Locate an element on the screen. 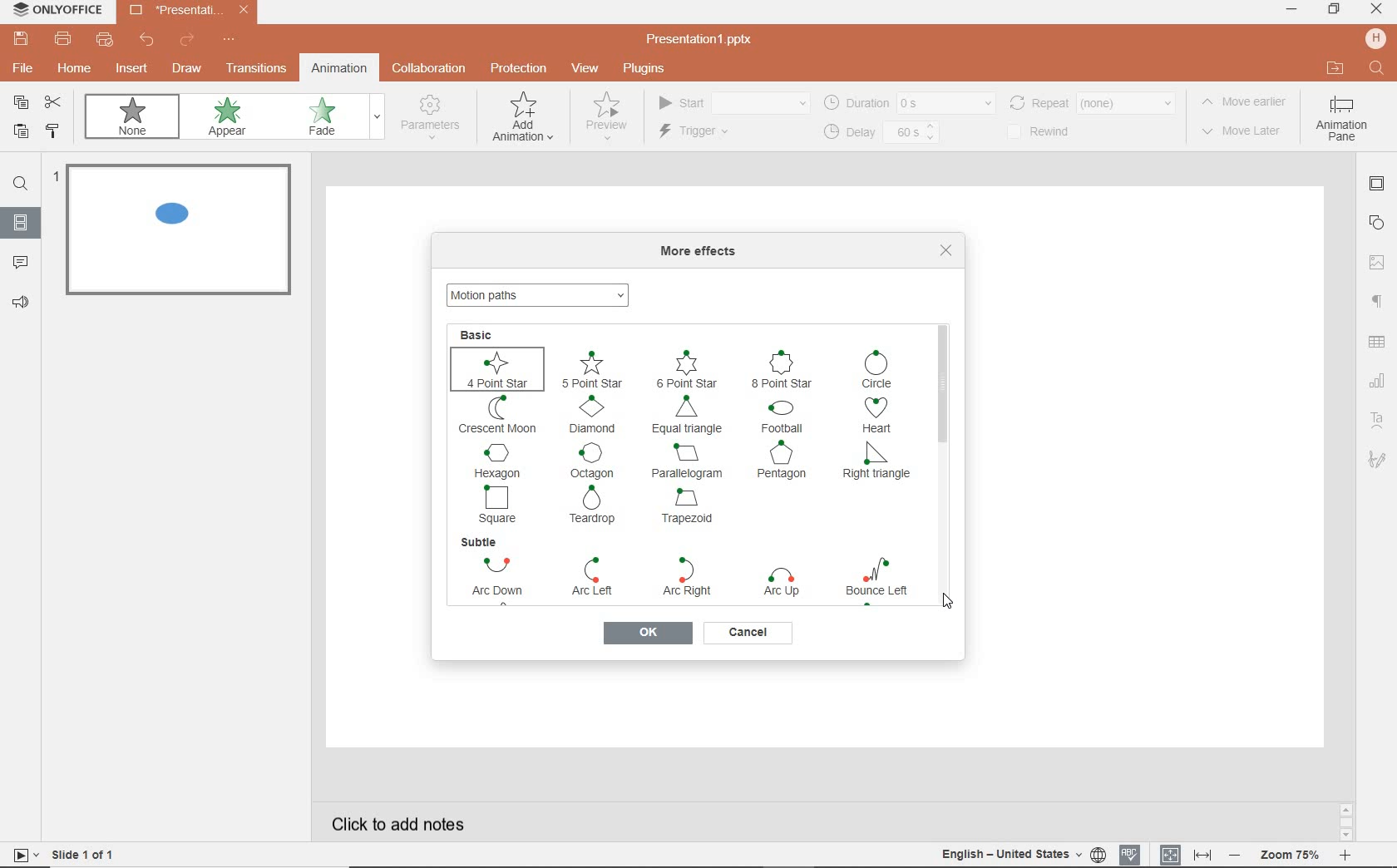 This screenshot has width=1397, height=868. preview is located at coordinates (605, 121).